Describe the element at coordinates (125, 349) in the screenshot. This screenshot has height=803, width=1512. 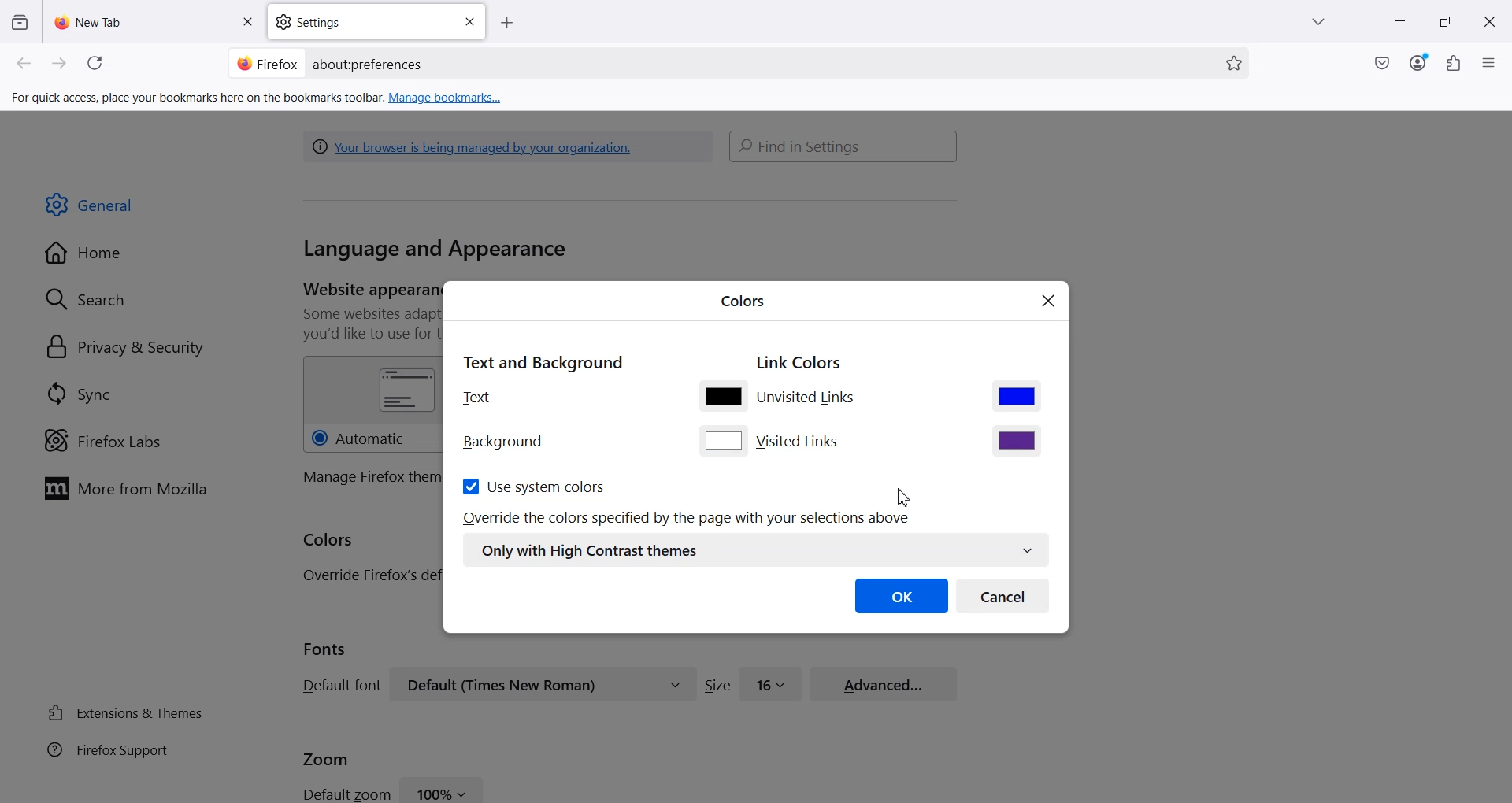
I see `8 Privacy & Security` at that location.